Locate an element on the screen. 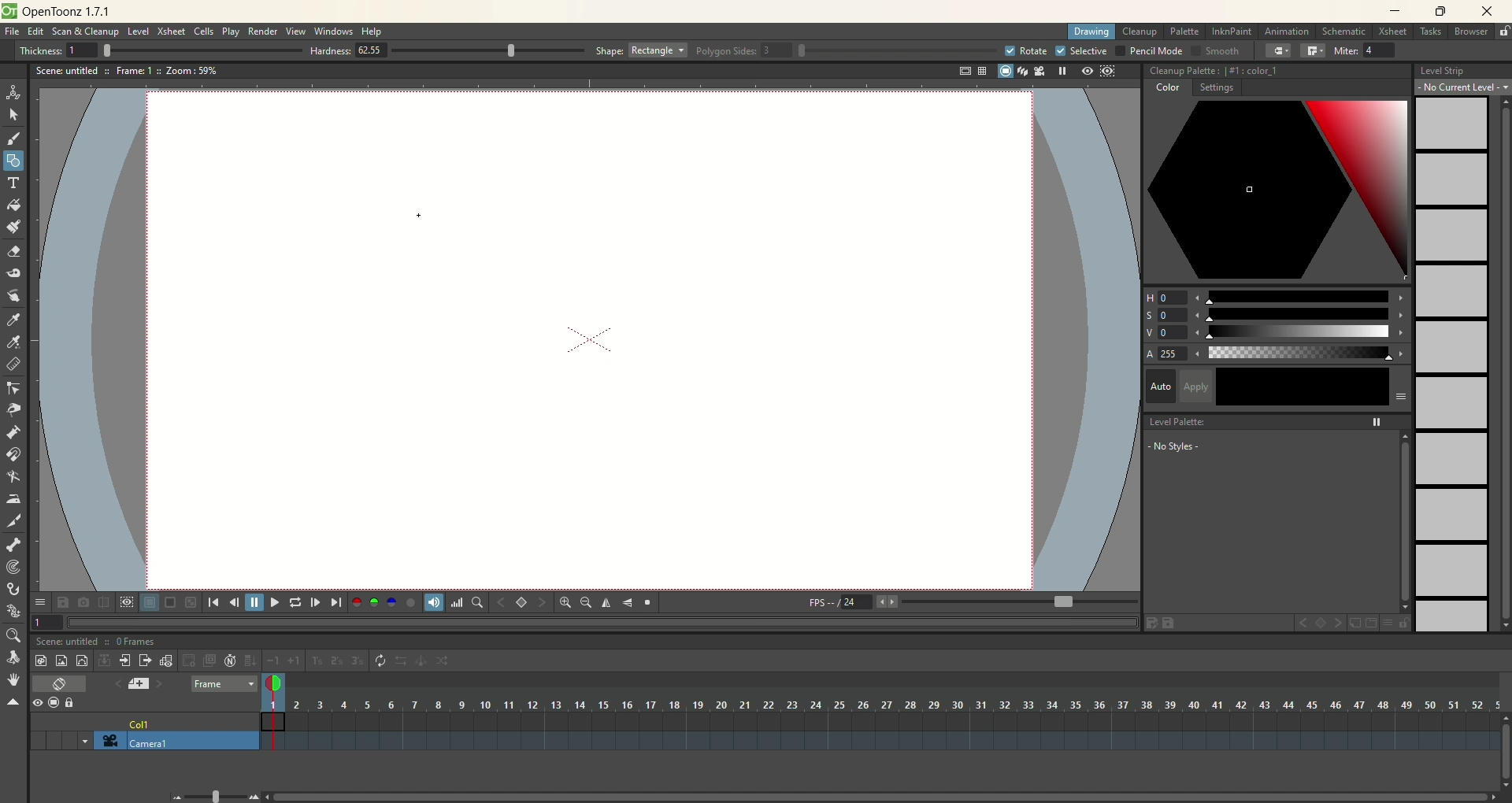 Image resolution: width=1512 pixels, height=803 pixels. reframe on 3's is located at coordinates (358, 661).